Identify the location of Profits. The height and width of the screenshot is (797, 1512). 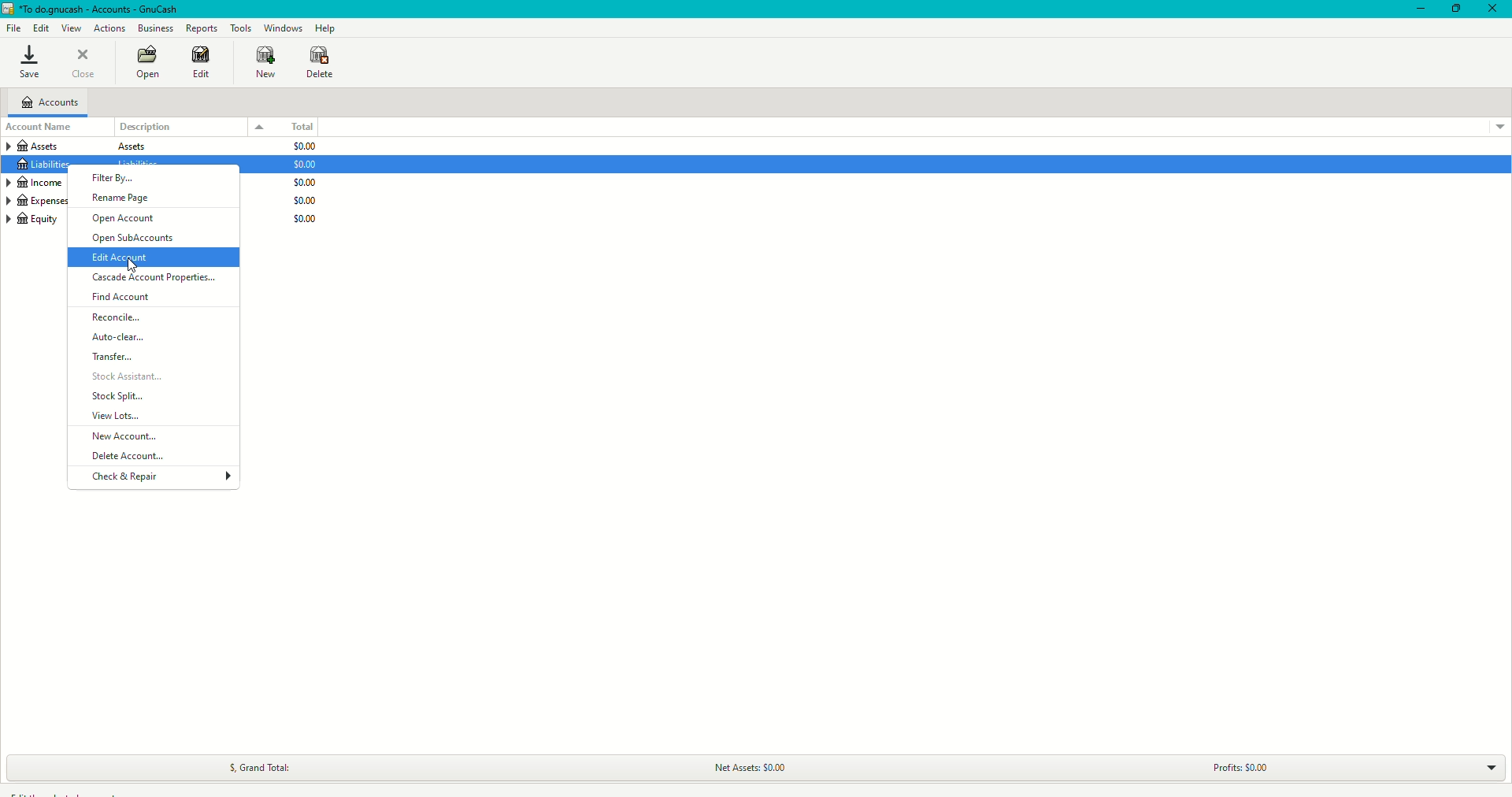
(1238, 769).